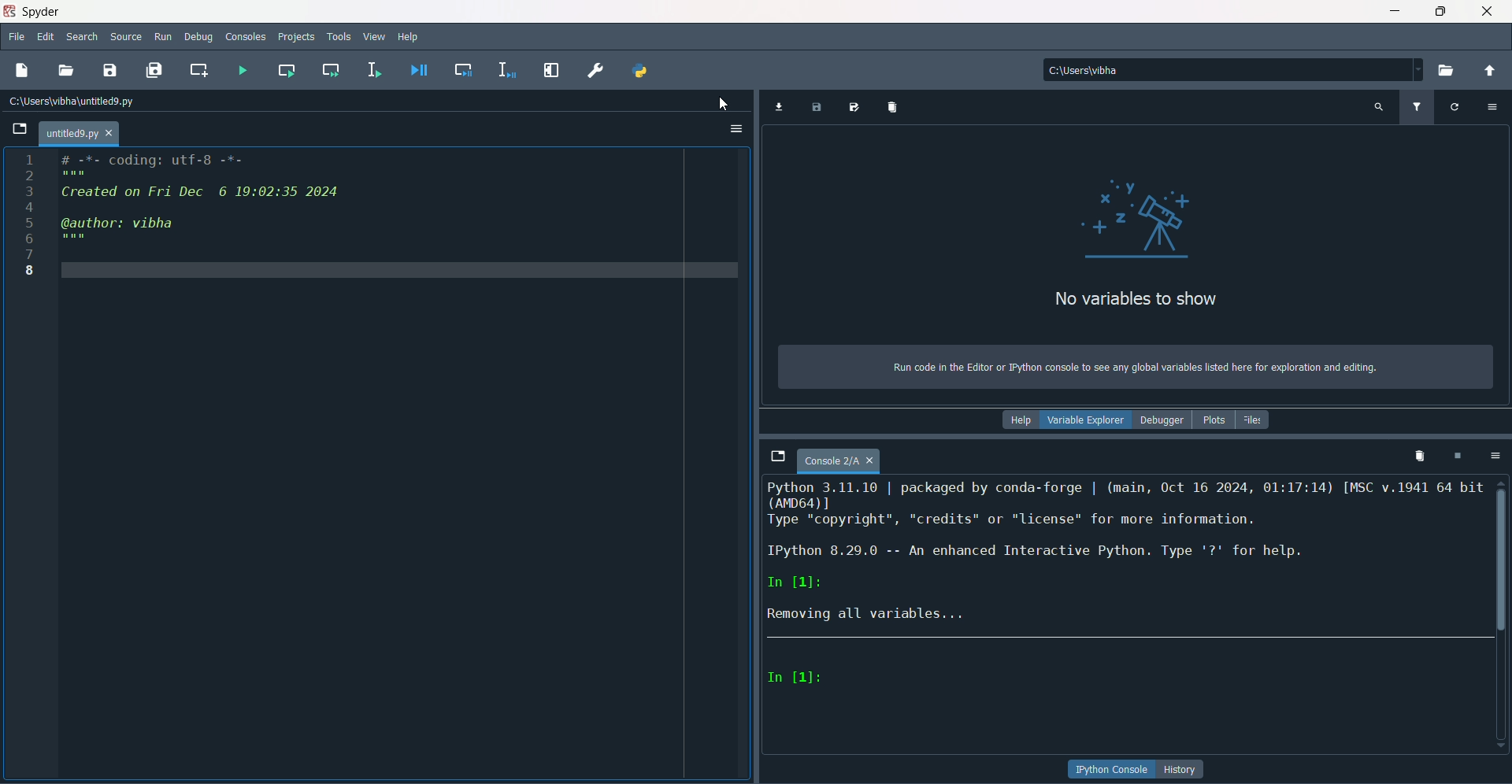 The width and height of the screenshot is (1512, 784). I want to click on text, so click(1126, 555).